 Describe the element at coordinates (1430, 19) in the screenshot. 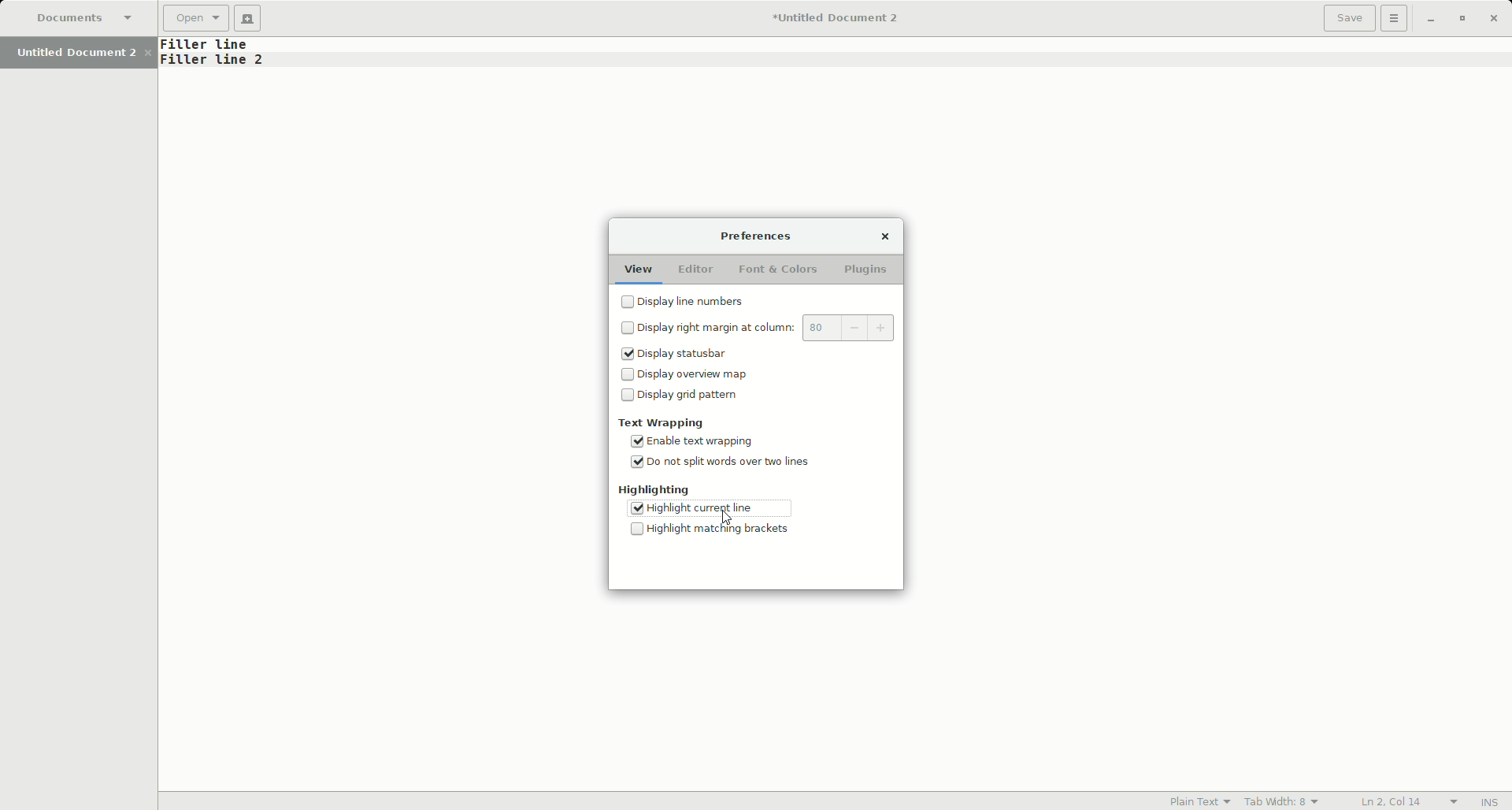

I see `Minimize` at that location.